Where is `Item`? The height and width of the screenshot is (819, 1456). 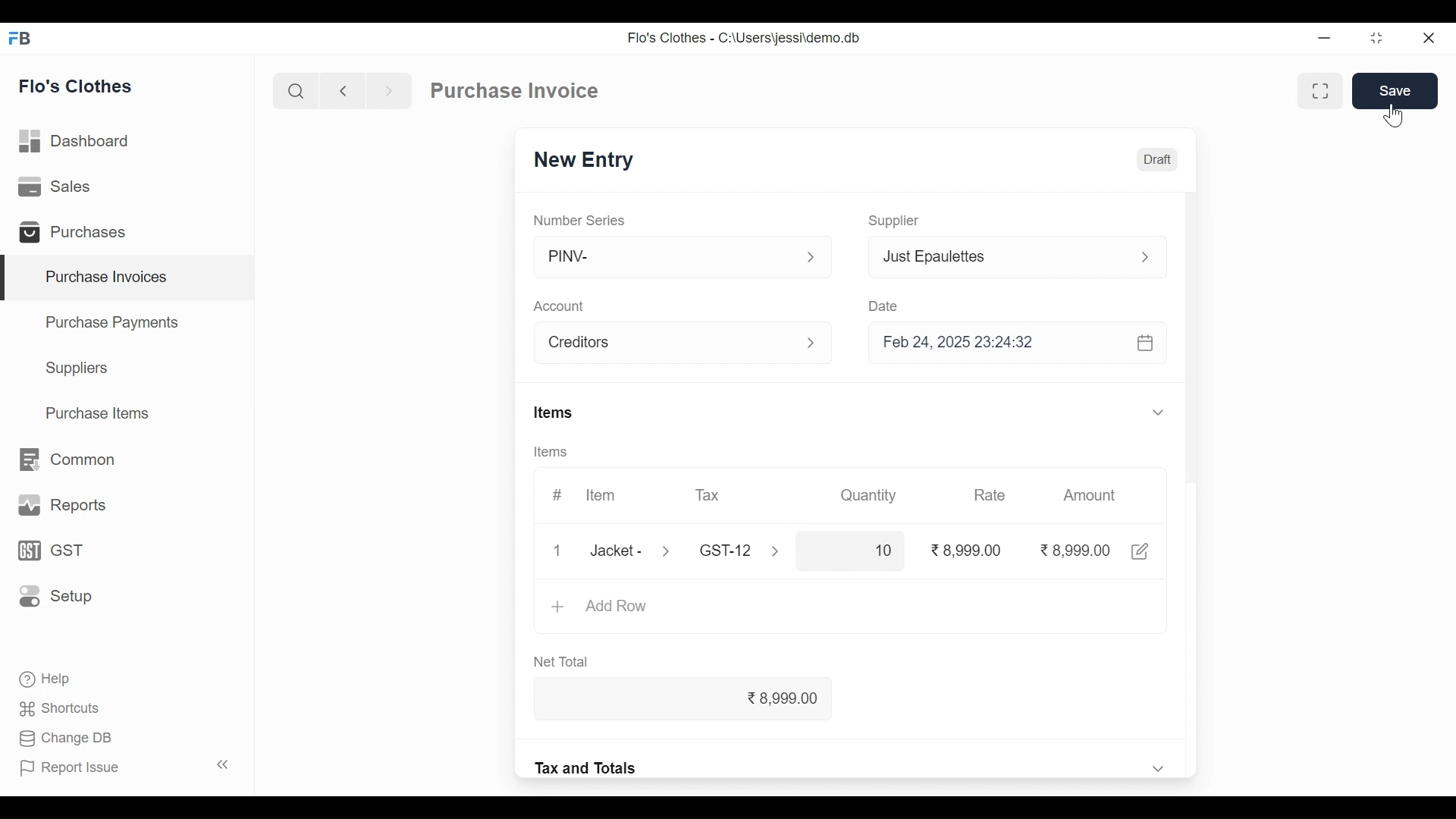 Item is located at coordinates (601, 494).